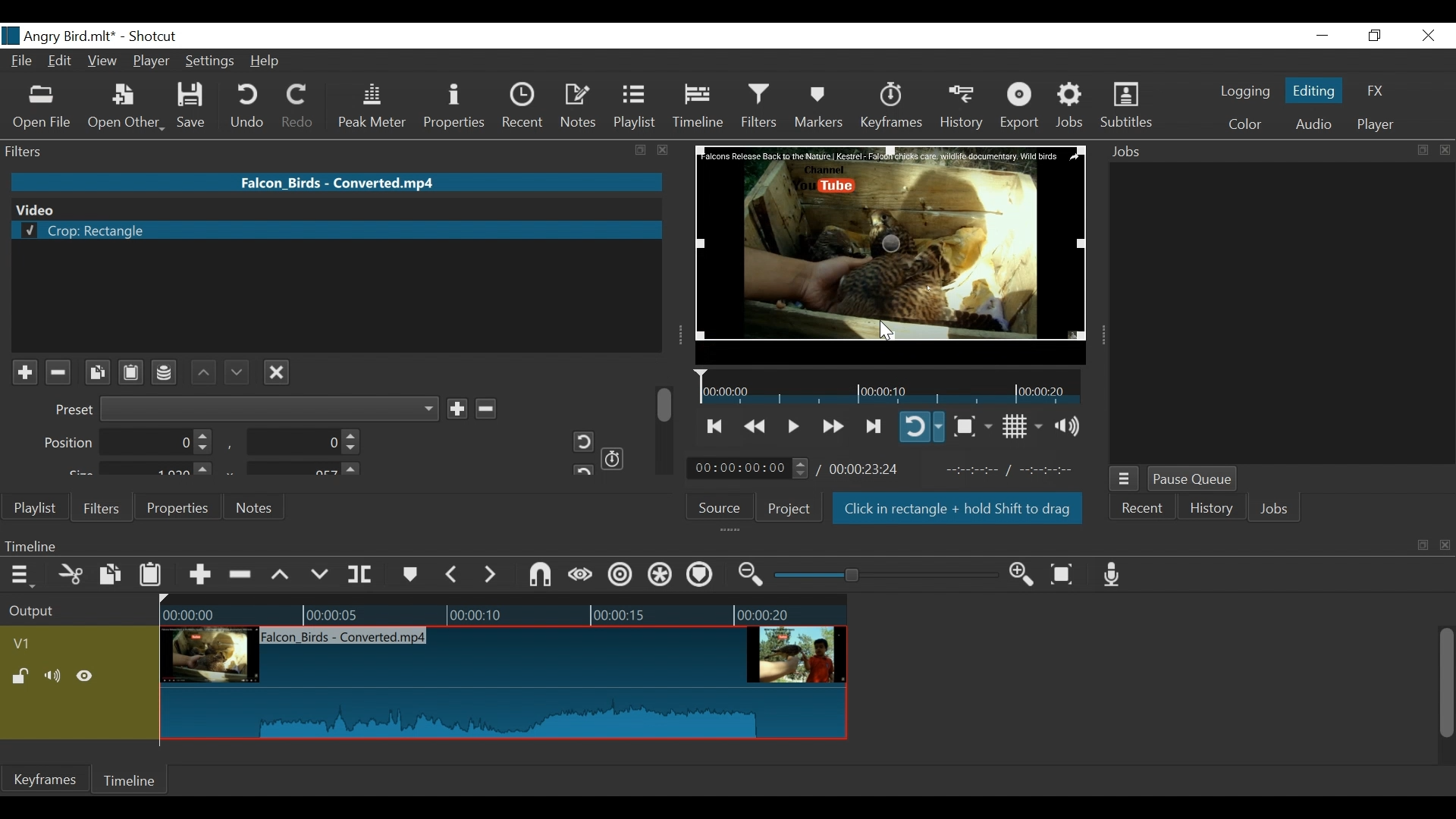 This screenshot has width=1456, height=819. What do you see at coordinates (102, 62) in the screenshot?
I see `View` at bounding box center [102, 62].